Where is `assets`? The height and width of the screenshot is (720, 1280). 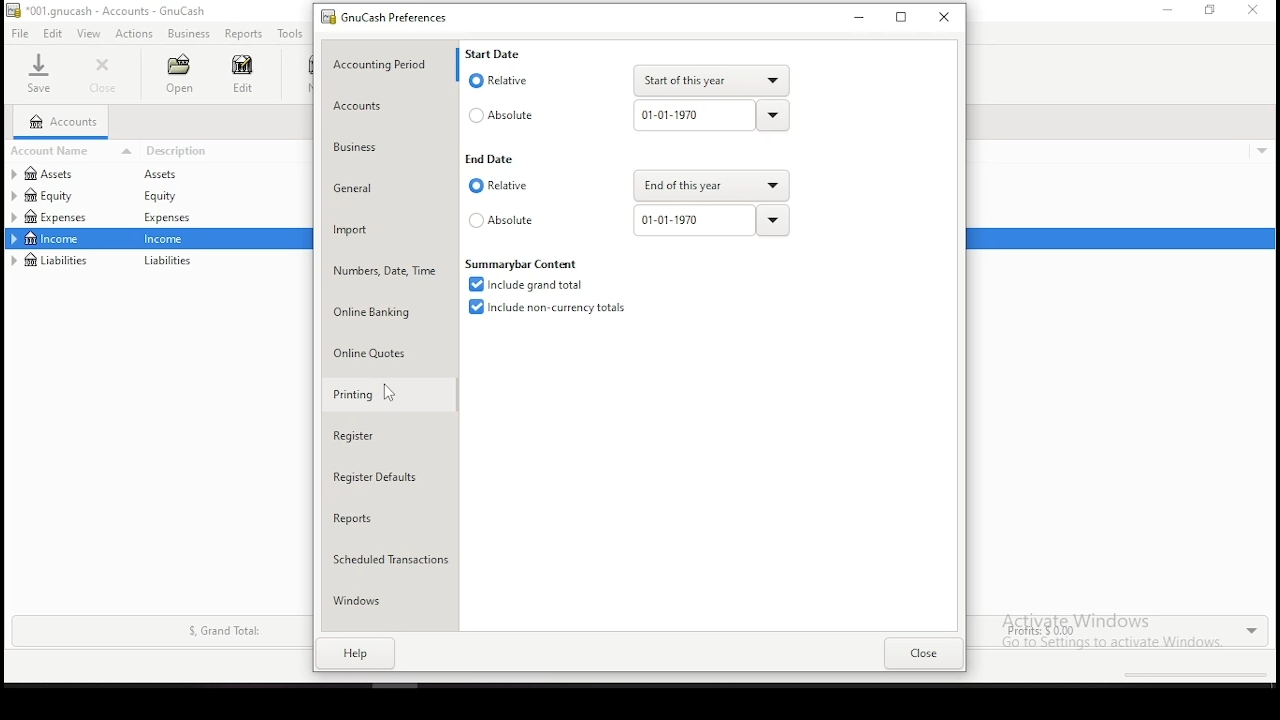
assets is located at coordinates (170, 175).